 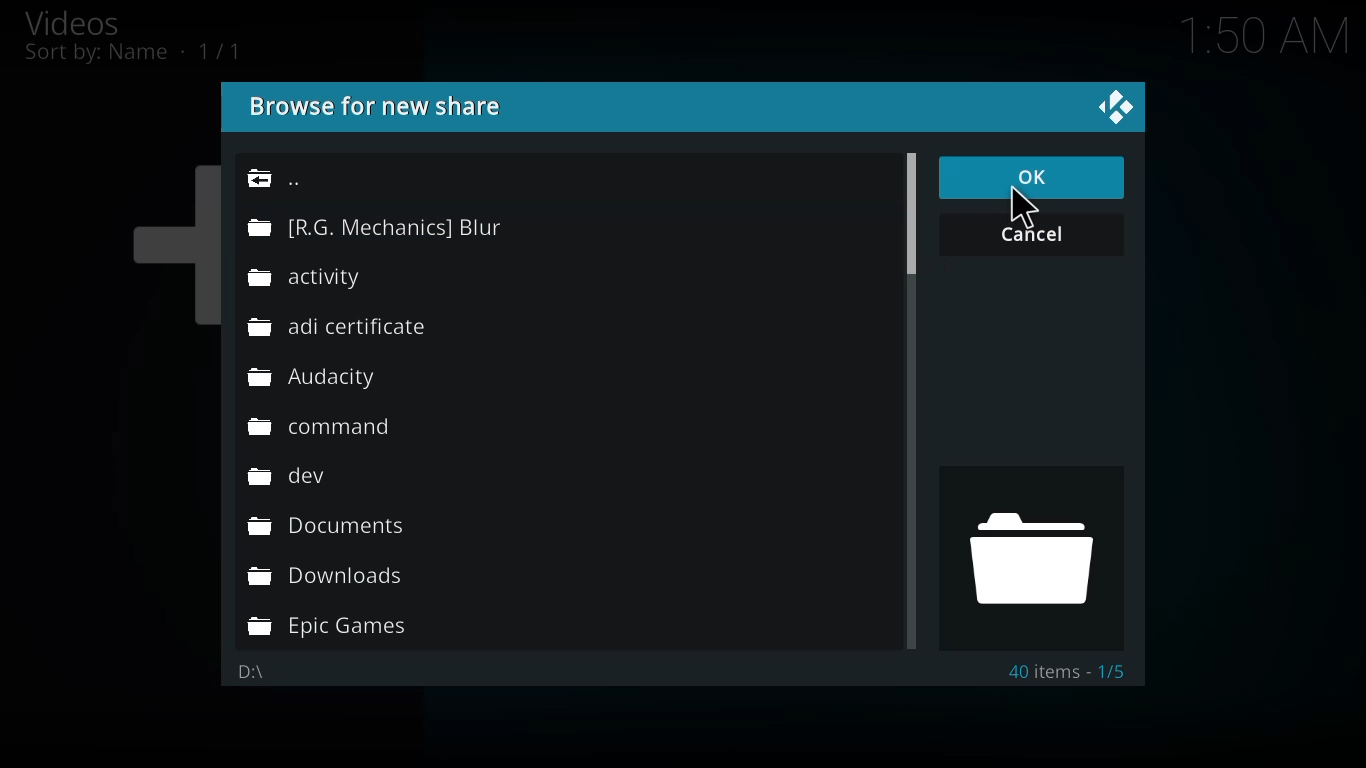 I want to click on d, so click(x=265, y=670).